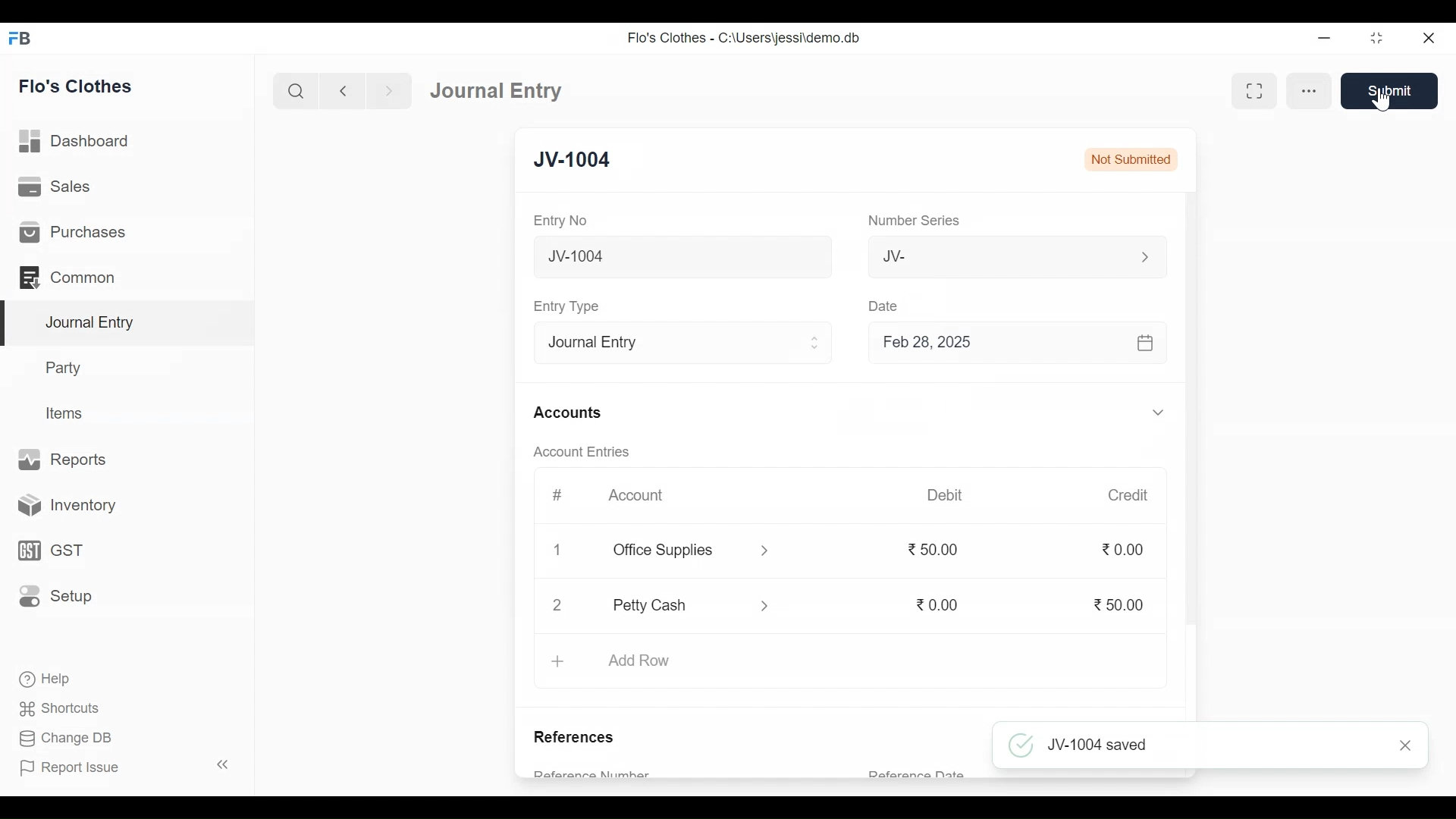 This screenshot has height=819, width=1456. I want to click on 50.00, so click(1119, 606).